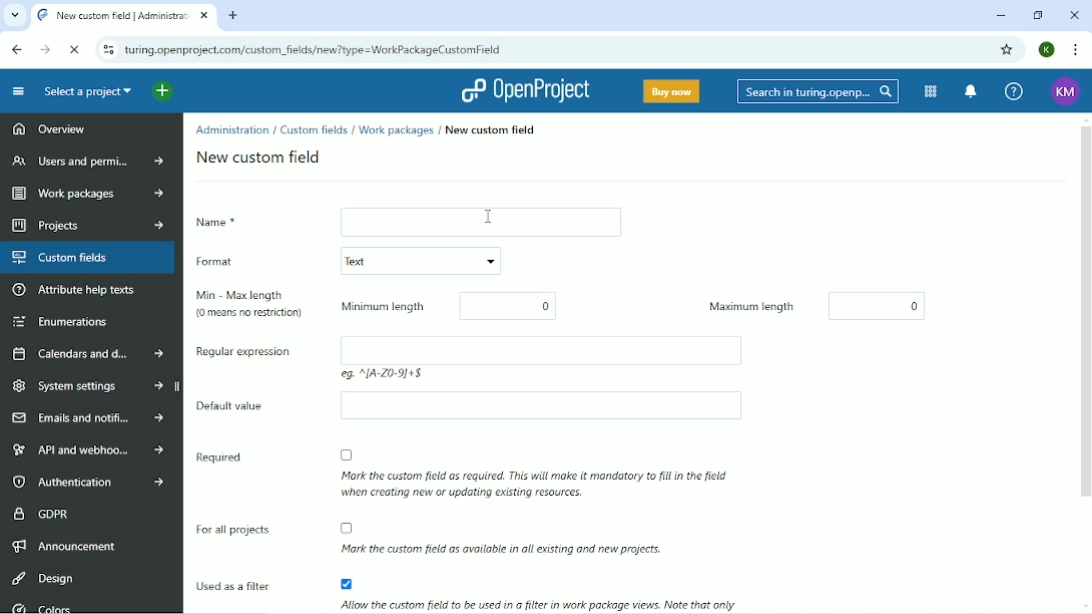 This screenshot has height=614, width=1092. Describe the element at coordinates (525, 471) in the screenshot. I see `Mark the custom field as required. THis will make it mandatory to fill in the field when creating new or updating existing resources` at that location.